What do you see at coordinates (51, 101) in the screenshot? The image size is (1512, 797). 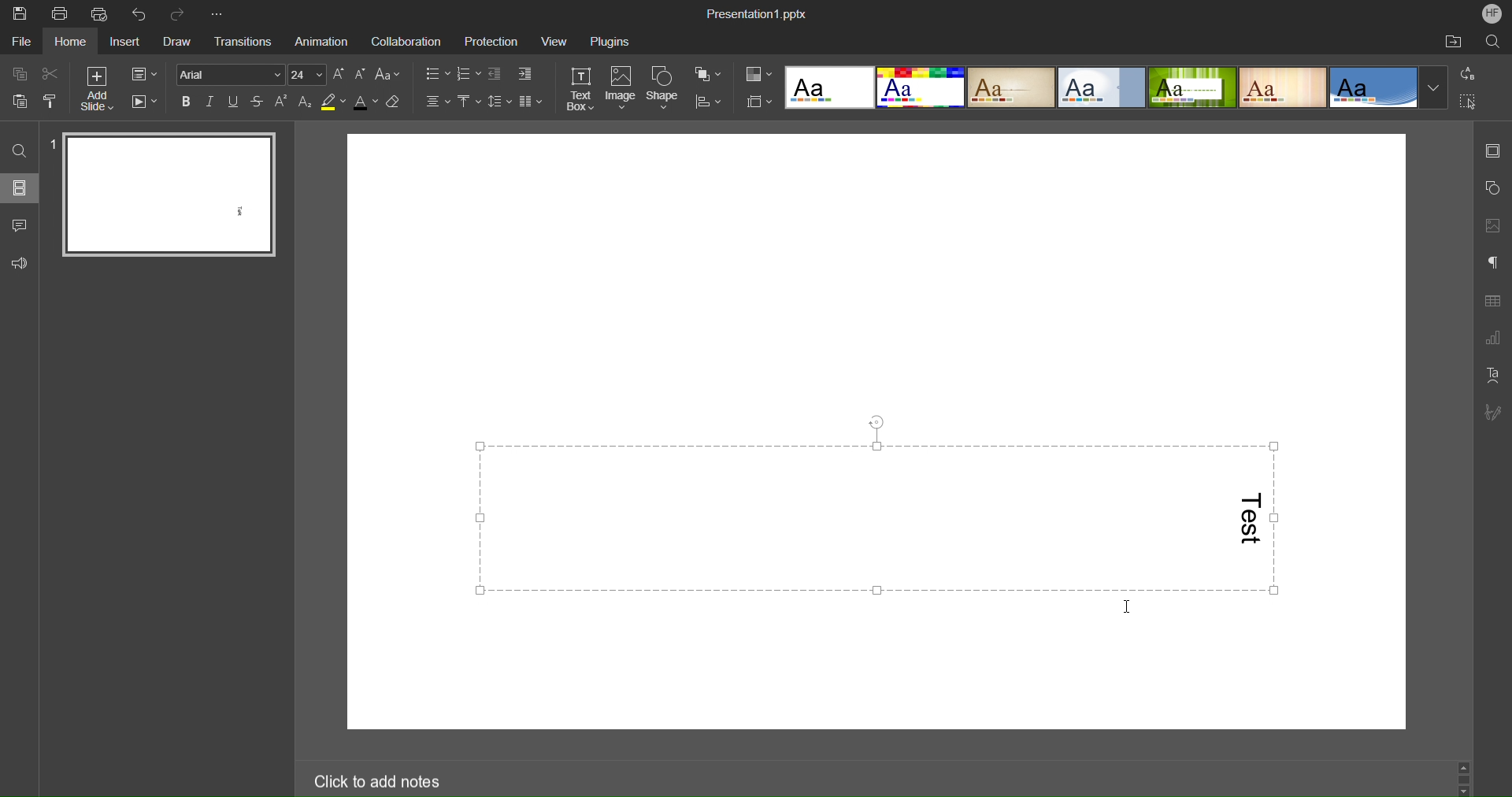 I see `Copy Style` at bounding box center [51, 101].